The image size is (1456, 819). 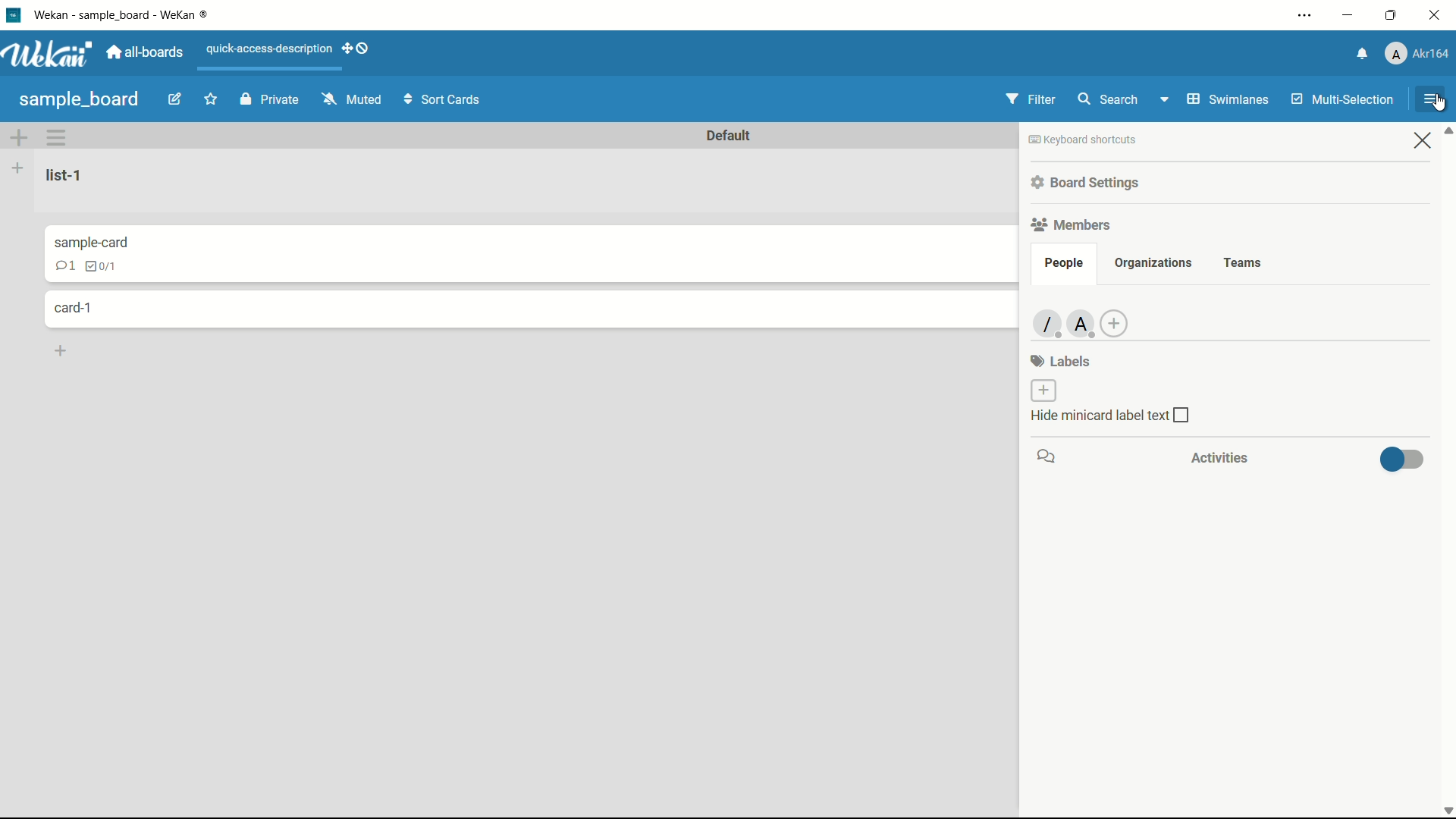 What do you see at coordinates (1034, 103) in the screenshot?
I see `filter` at bounding box center [1034, 103].